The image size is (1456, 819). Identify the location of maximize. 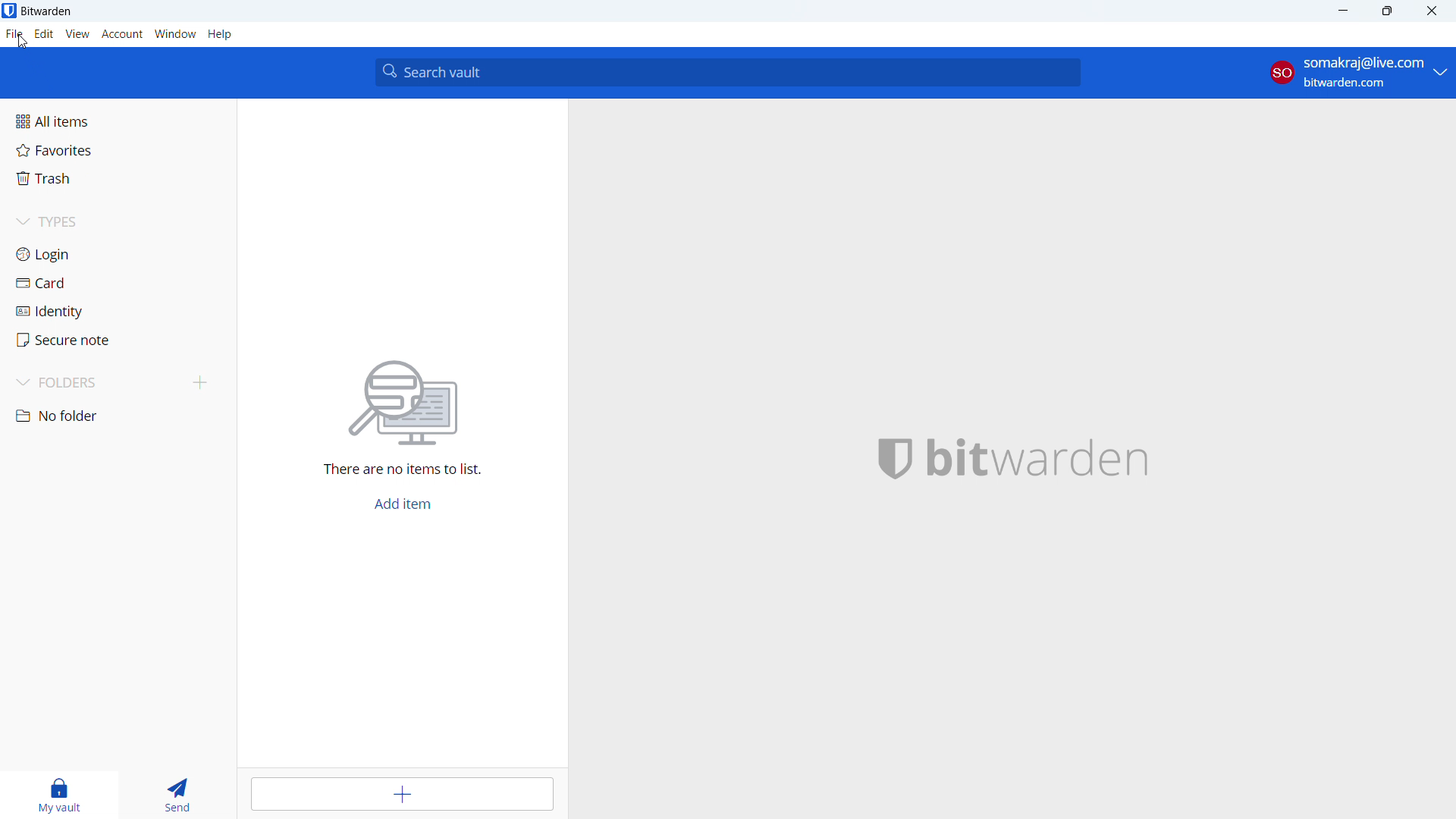
(1389, 11).